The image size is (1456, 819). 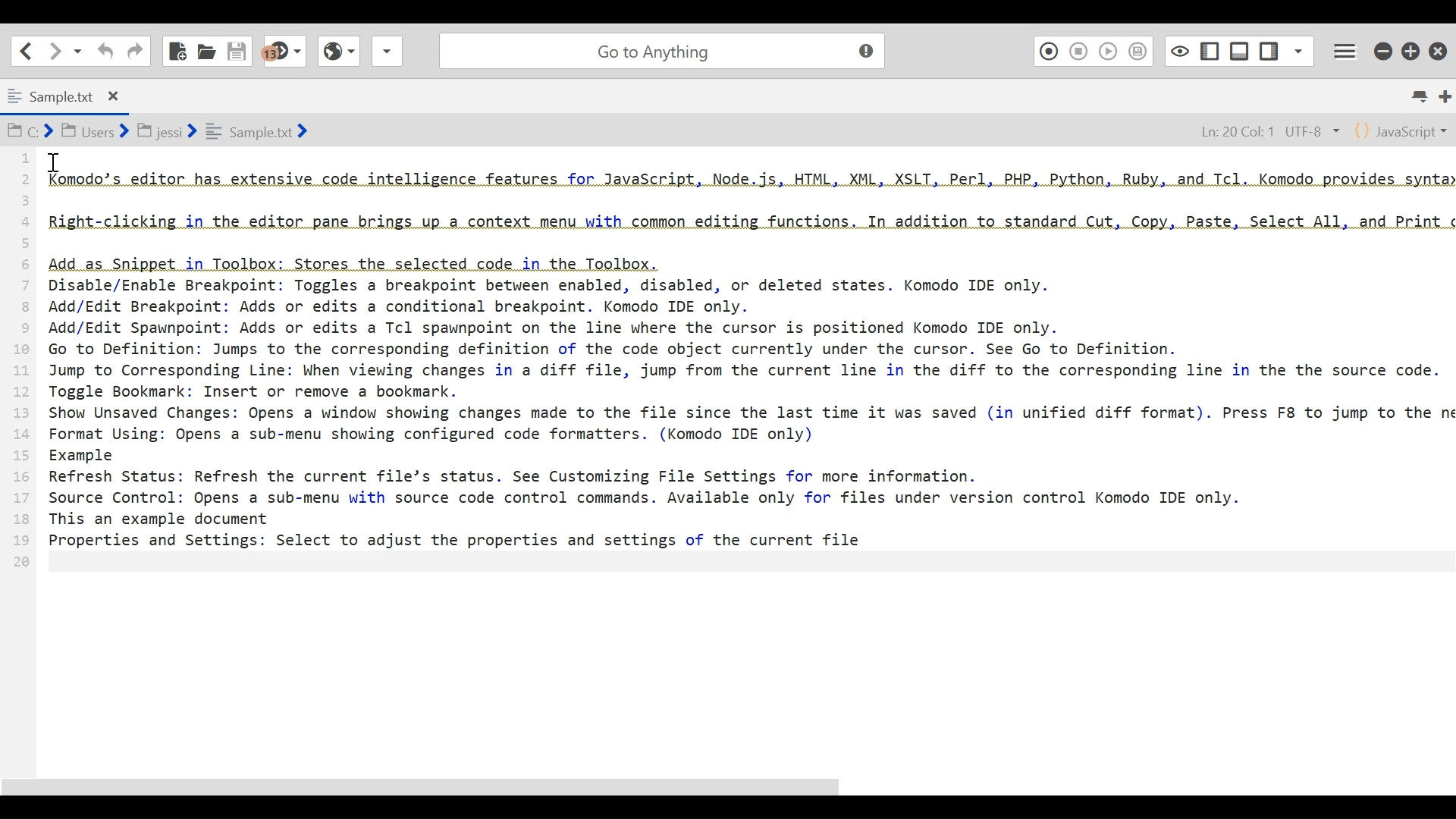 What do you see at coordinates (104, 51) in the screenshot?
I see `Undo` at bounding box center [104, 51].